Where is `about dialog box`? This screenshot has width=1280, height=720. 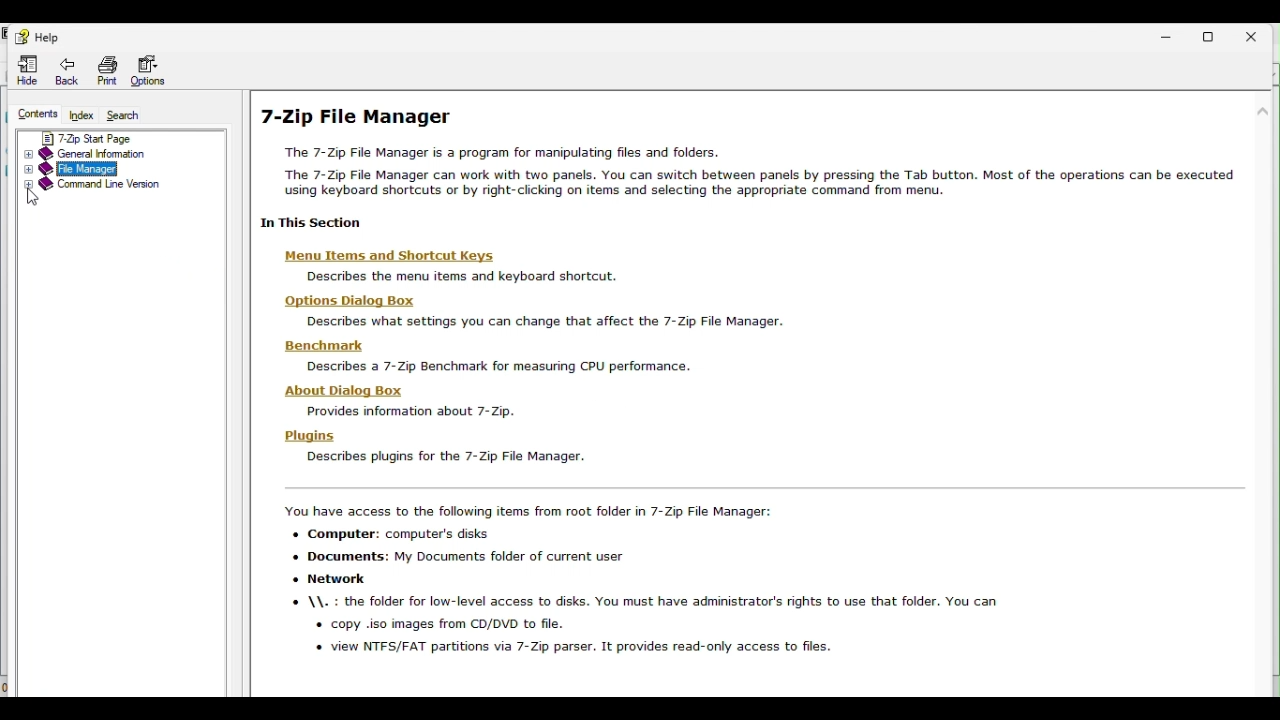
about dialog box is located at coordinates (343, 390).